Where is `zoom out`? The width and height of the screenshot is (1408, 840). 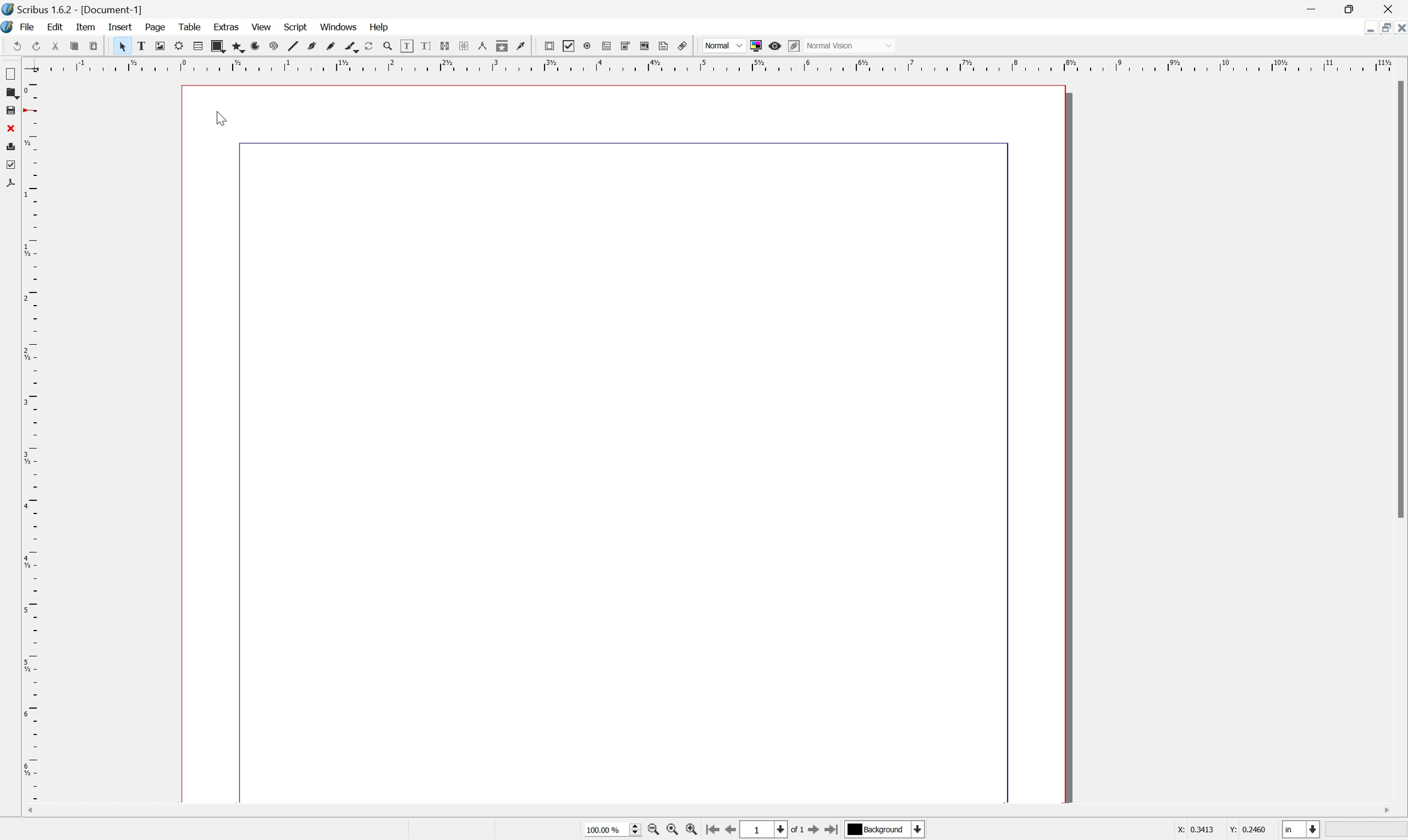
zoom out is located at coordinates (654, 832).